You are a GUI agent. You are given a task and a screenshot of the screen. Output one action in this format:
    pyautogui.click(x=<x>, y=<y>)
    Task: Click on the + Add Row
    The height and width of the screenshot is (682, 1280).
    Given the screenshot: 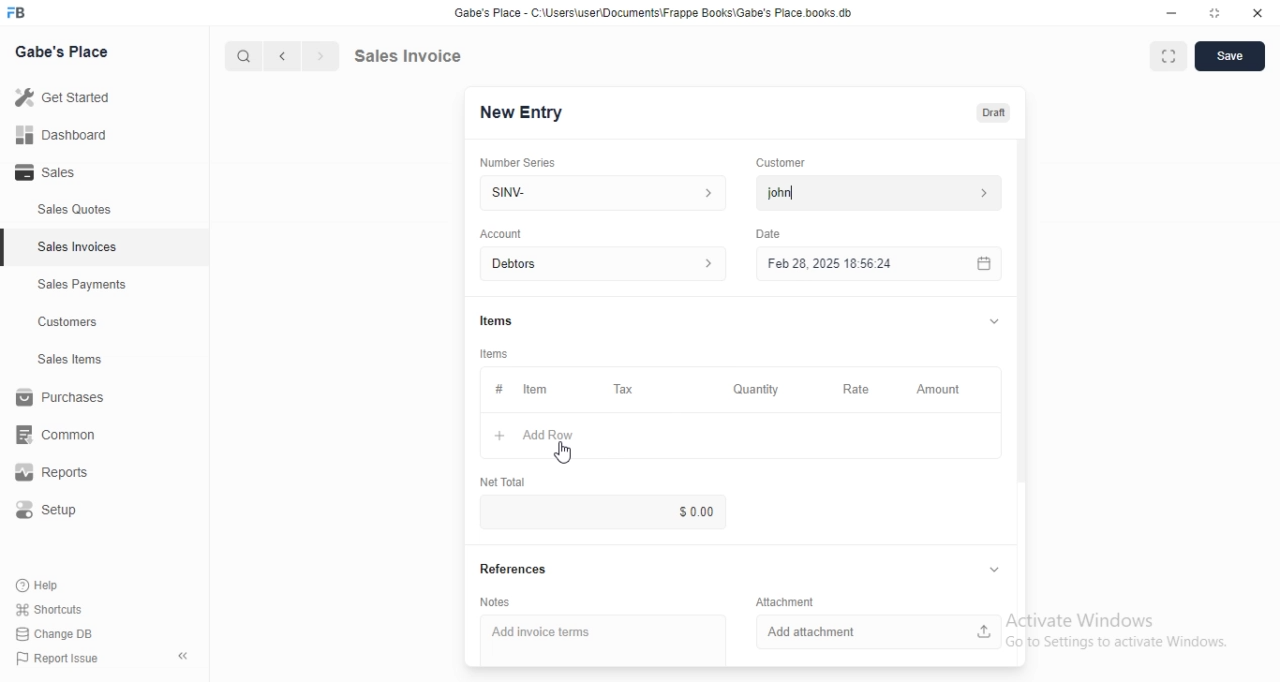 What is the action you would take?
    pyautogui.click(x=557, y=436)
    